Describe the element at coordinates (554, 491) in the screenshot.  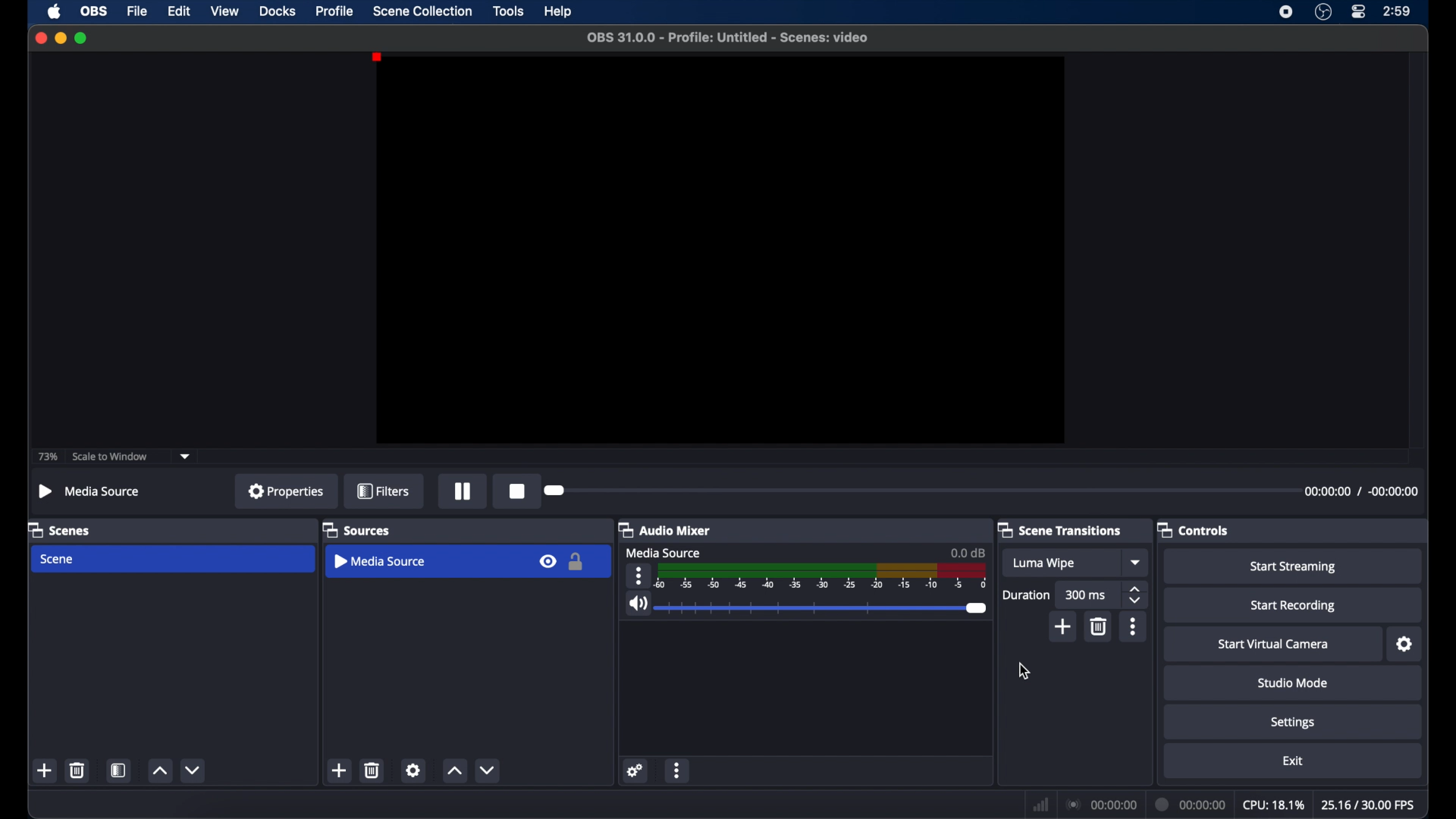
I see `slider` at that location.